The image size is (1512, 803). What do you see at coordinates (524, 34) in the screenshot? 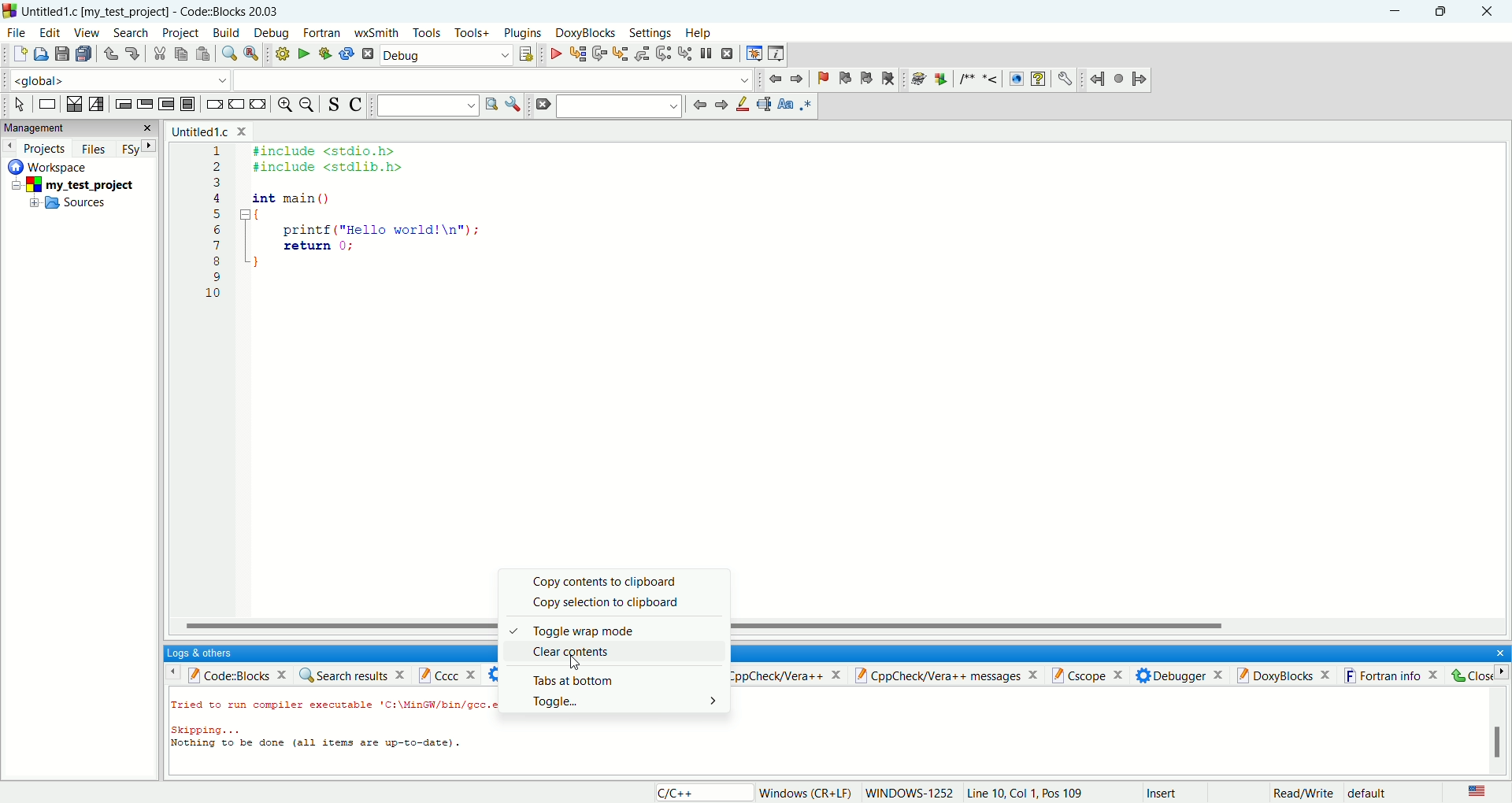
I see `plugins` at bounding box center [524, 34].